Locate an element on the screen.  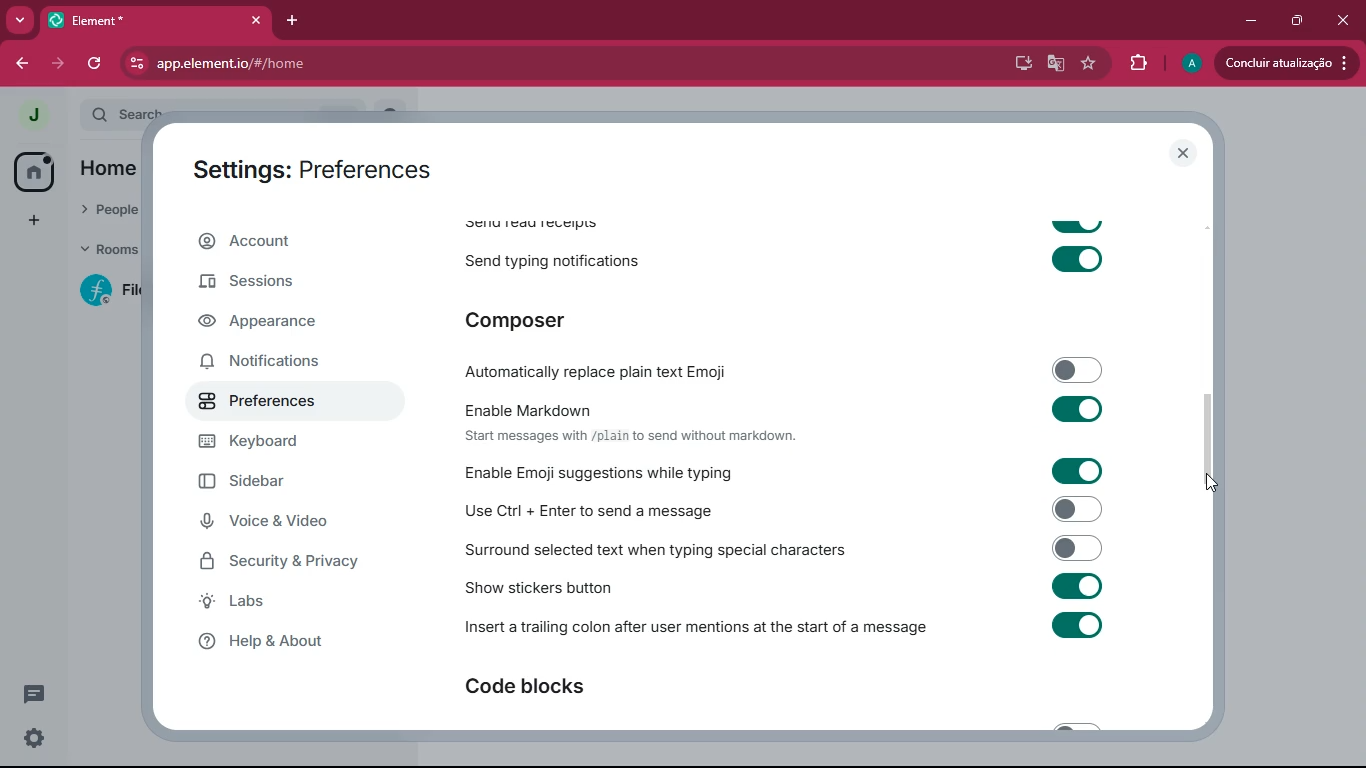
extensions is located at coordinates (1138, 63).